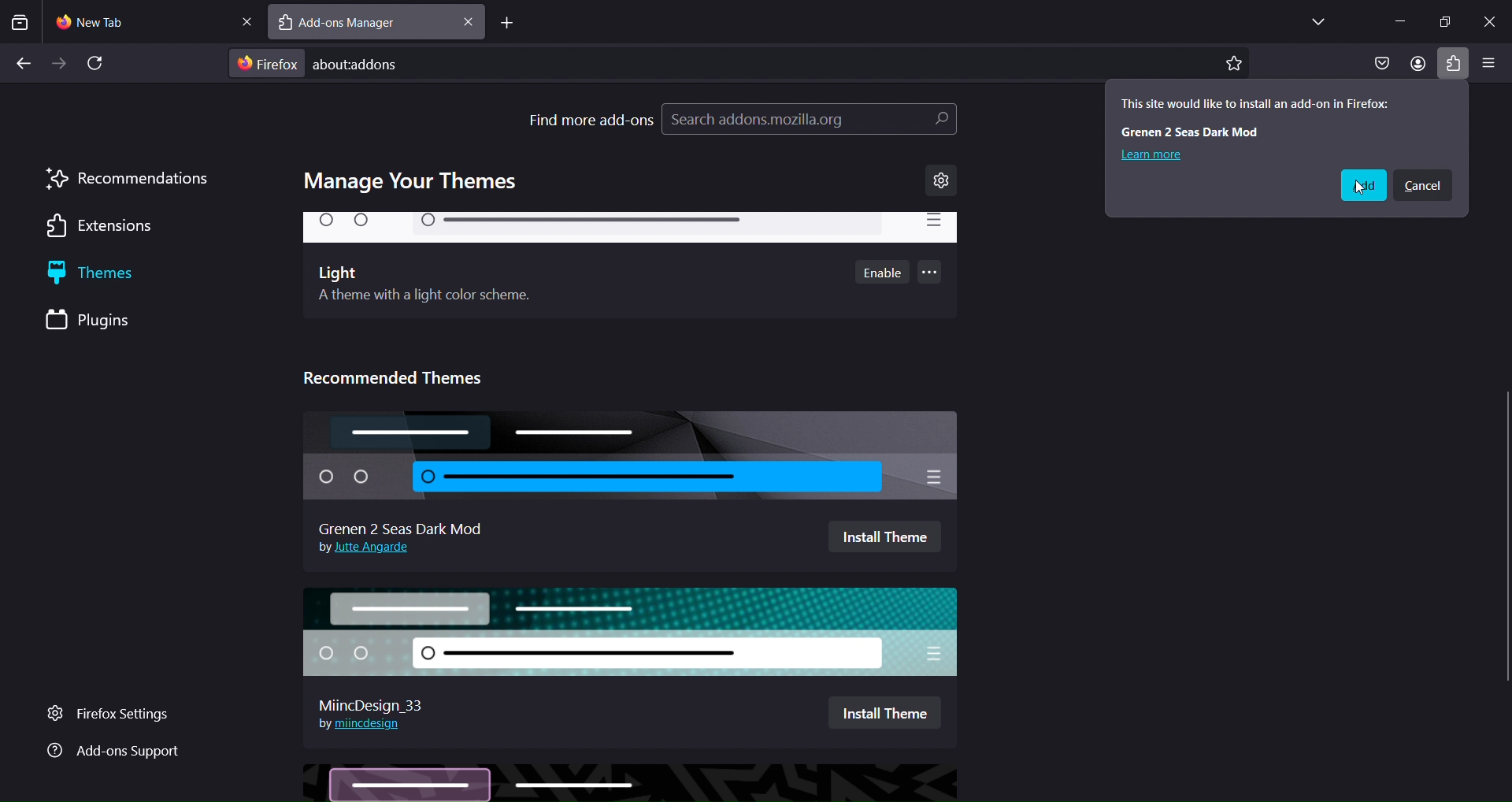 The image size is (1512, 802). What do you see at coordinates (469, 22) in the screenshot?
I see `close tab` at bounding box center [469, 22].